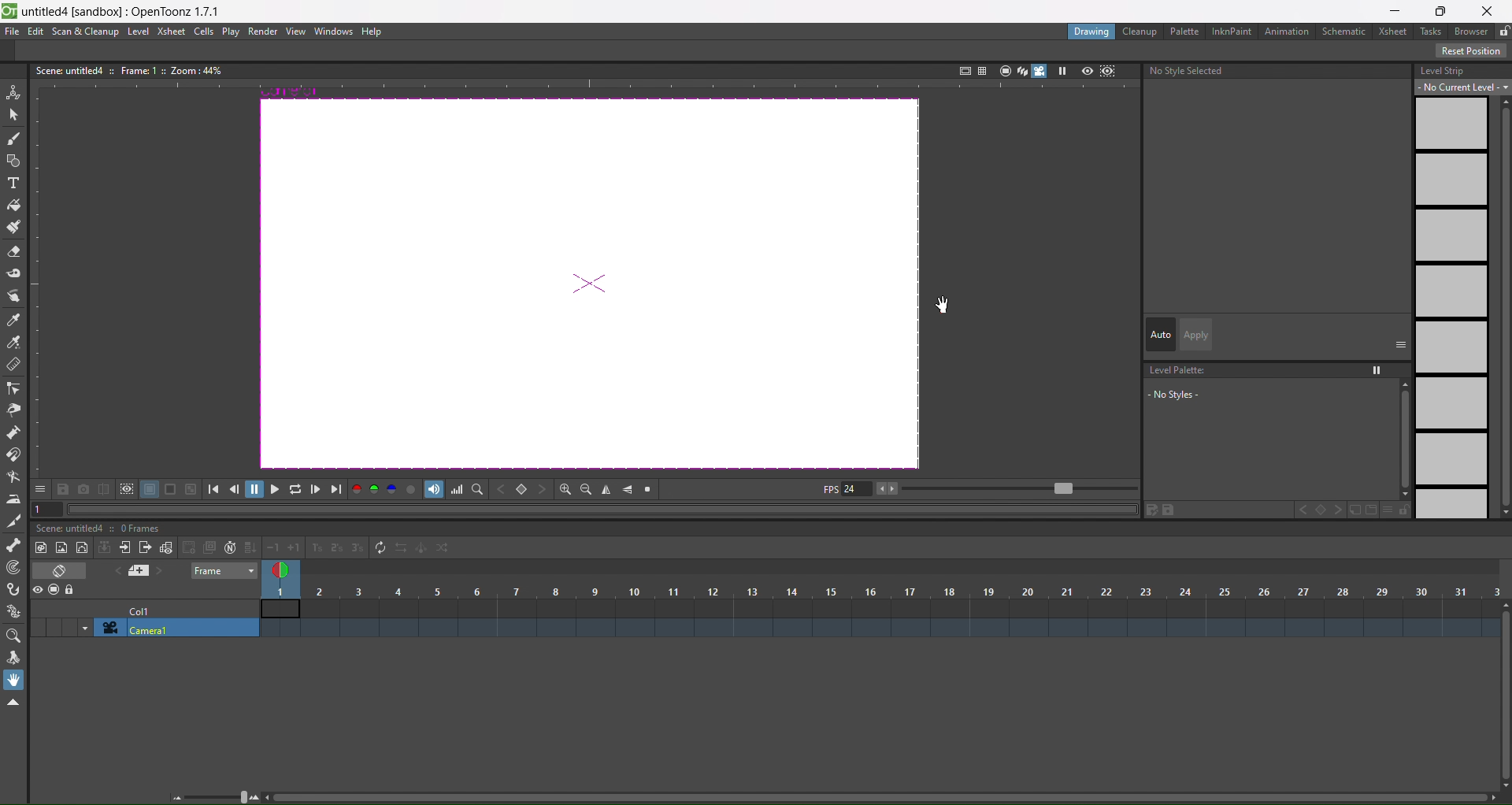  What do you see at coordinates (1503, 696) in the screenshot?
I see `scroll bar` at bounding box center [1503, 696].